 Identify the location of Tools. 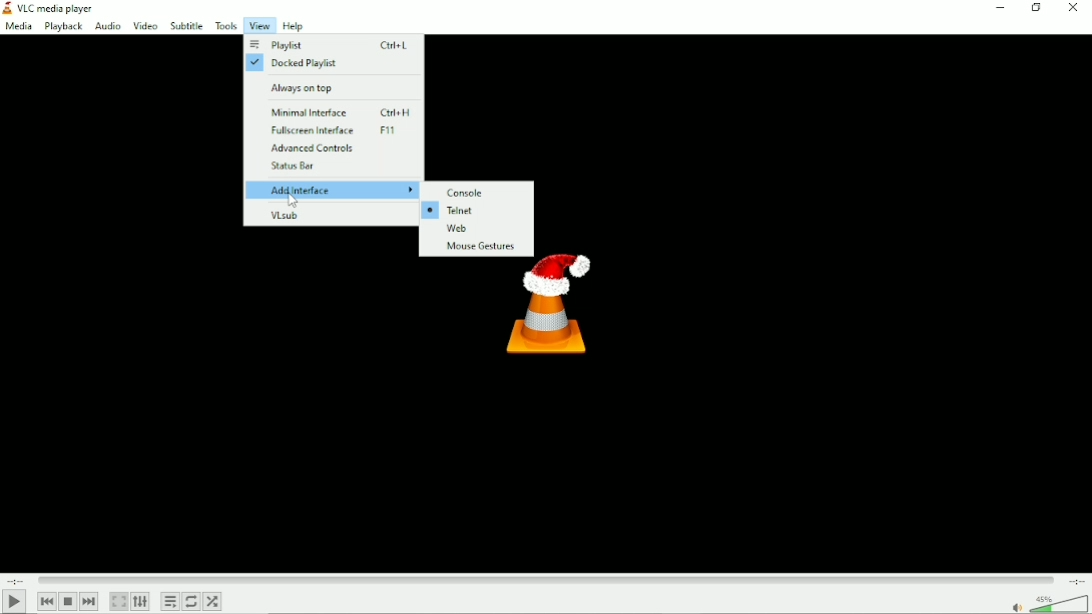
(225, 26).